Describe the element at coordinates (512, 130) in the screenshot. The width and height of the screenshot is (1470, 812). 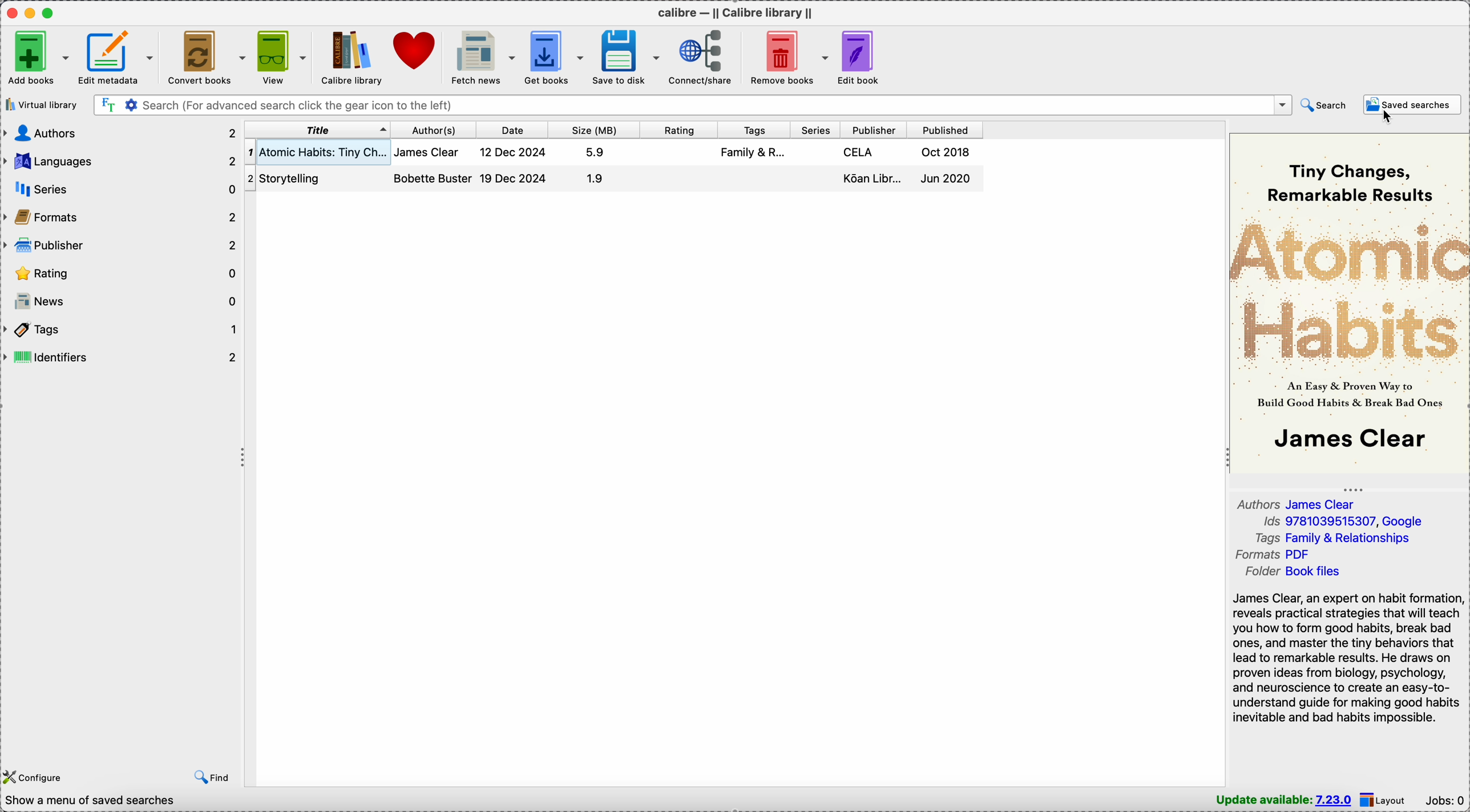
I see `date` at that location.